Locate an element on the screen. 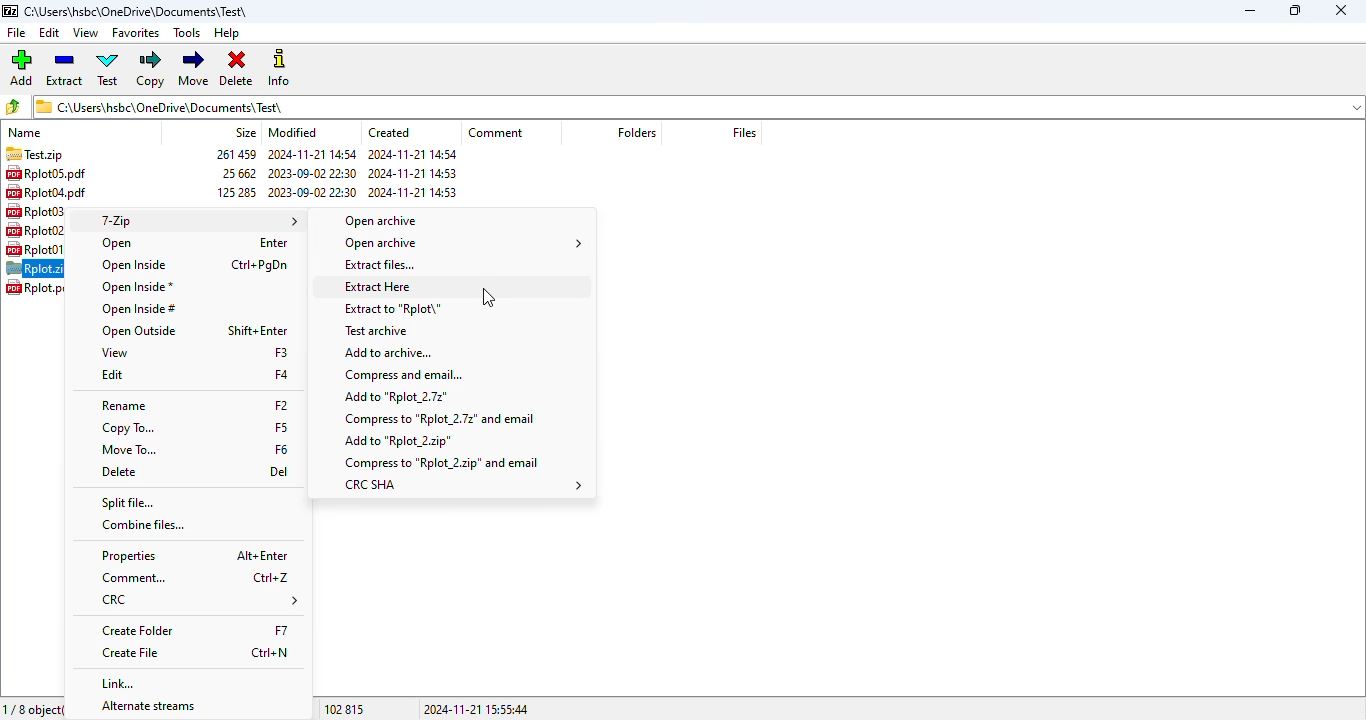 The height and width of the screenshot is (720, 1366). shortcut for create file is located at coordinates (272, 652).